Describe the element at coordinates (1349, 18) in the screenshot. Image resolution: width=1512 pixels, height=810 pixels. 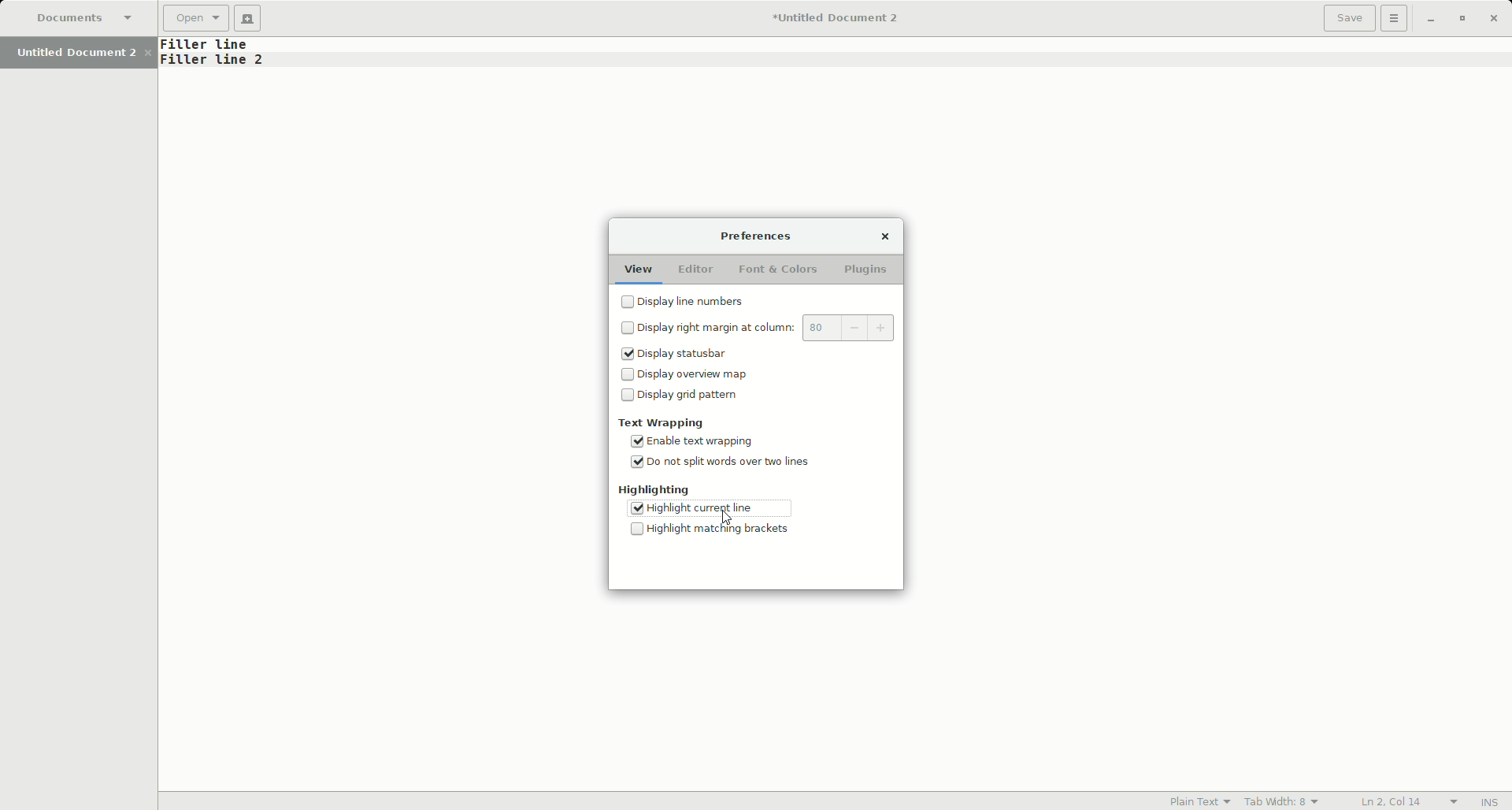
I see `Save` at that location.